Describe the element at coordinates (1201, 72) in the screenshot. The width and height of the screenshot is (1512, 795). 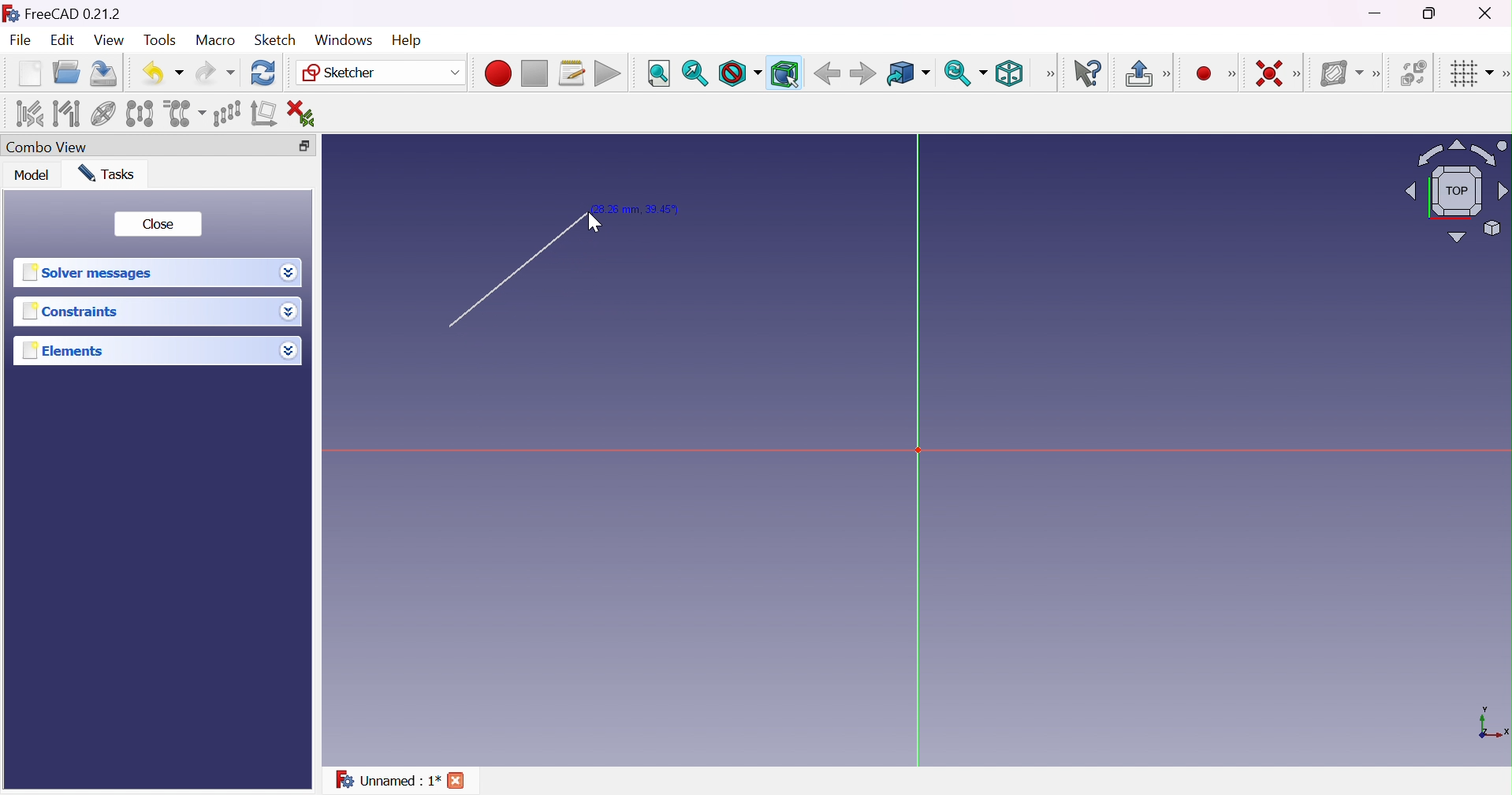
I see `Create point` at that location.